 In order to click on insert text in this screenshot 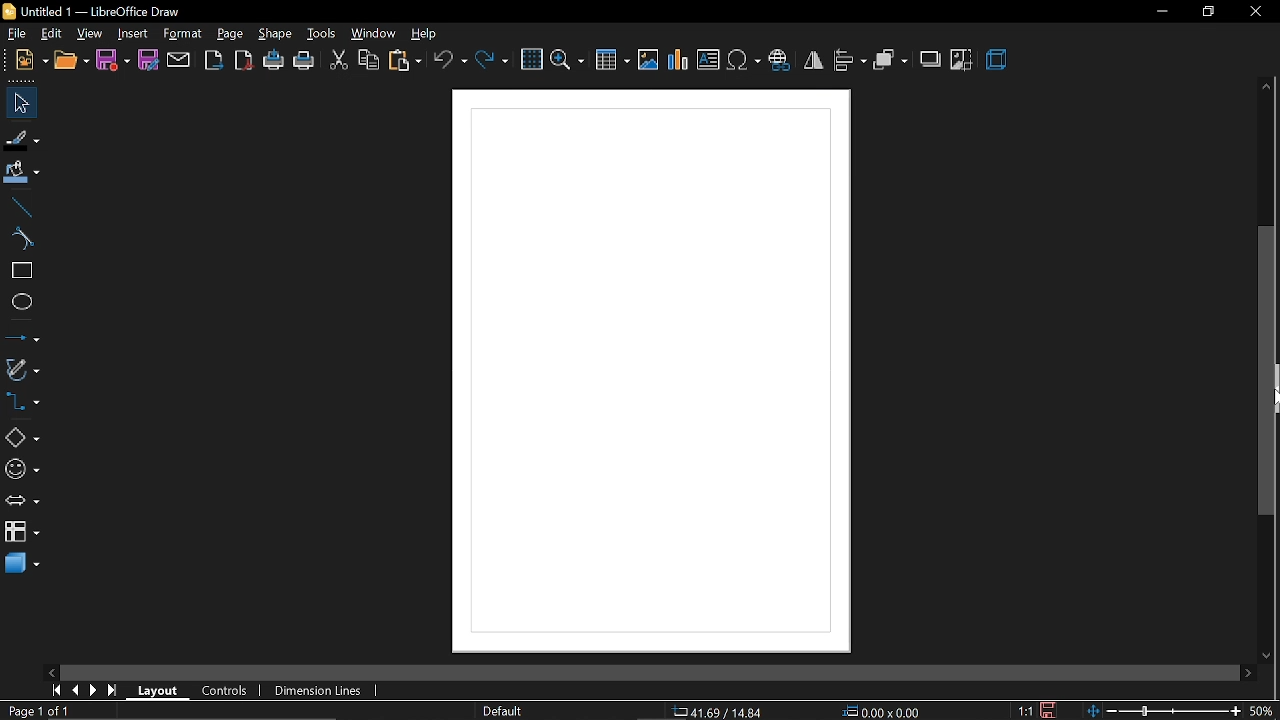, I will do `click(709, 61)`.